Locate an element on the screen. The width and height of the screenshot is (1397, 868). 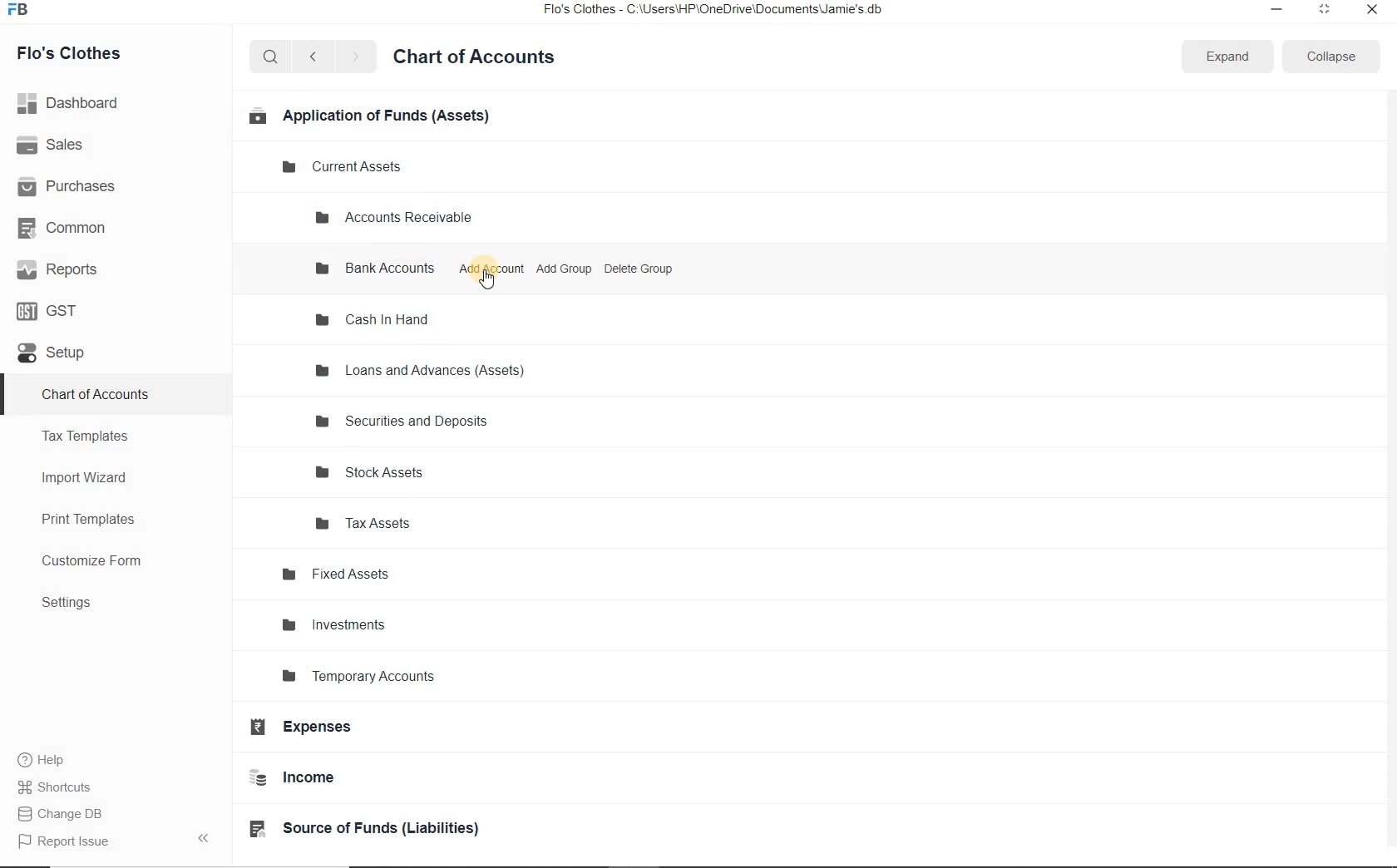
Add Group is located at coordinates (565, 269).